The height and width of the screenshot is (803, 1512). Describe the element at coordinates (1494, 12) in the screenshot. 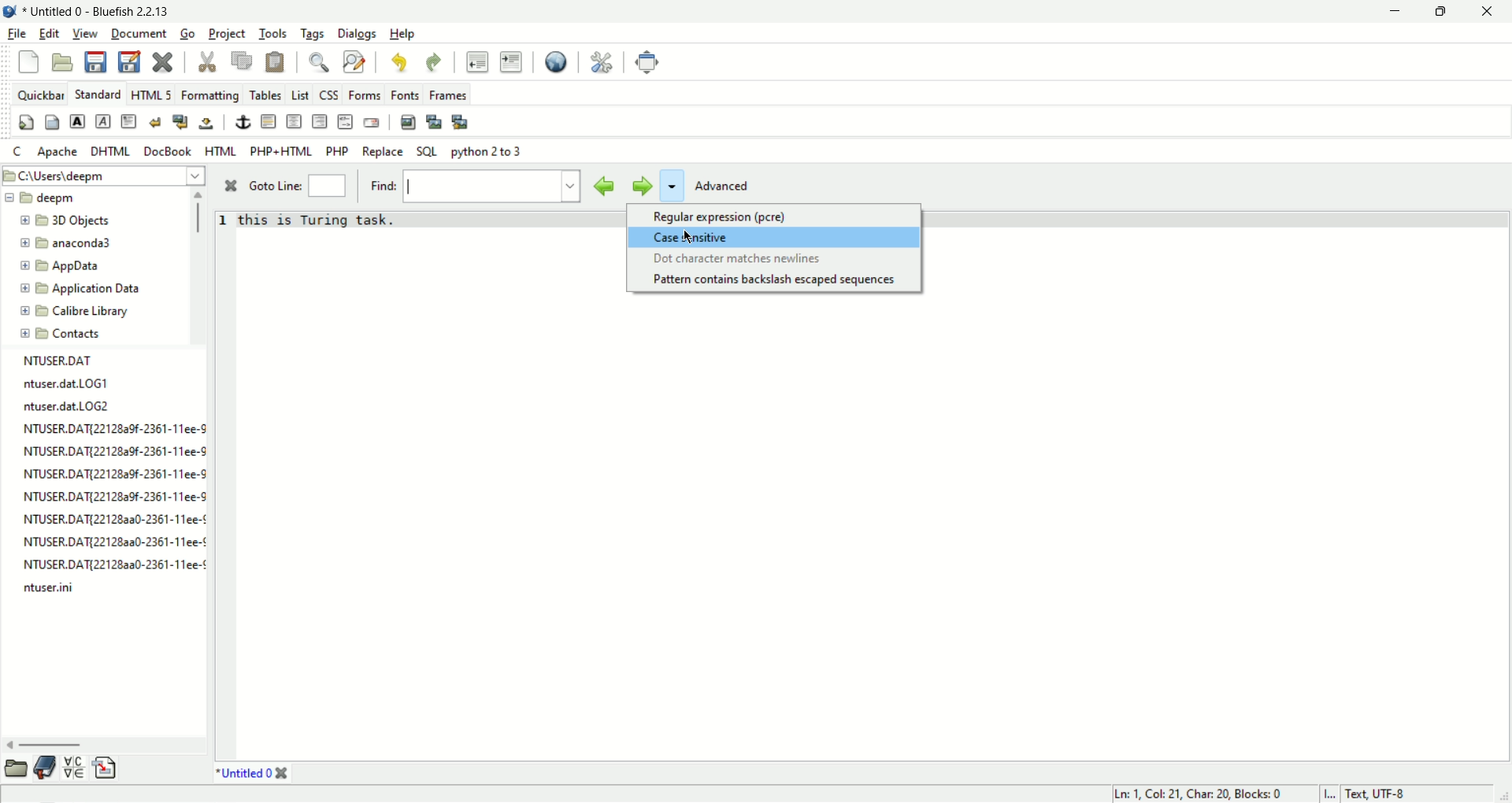

I see `close` at that location.